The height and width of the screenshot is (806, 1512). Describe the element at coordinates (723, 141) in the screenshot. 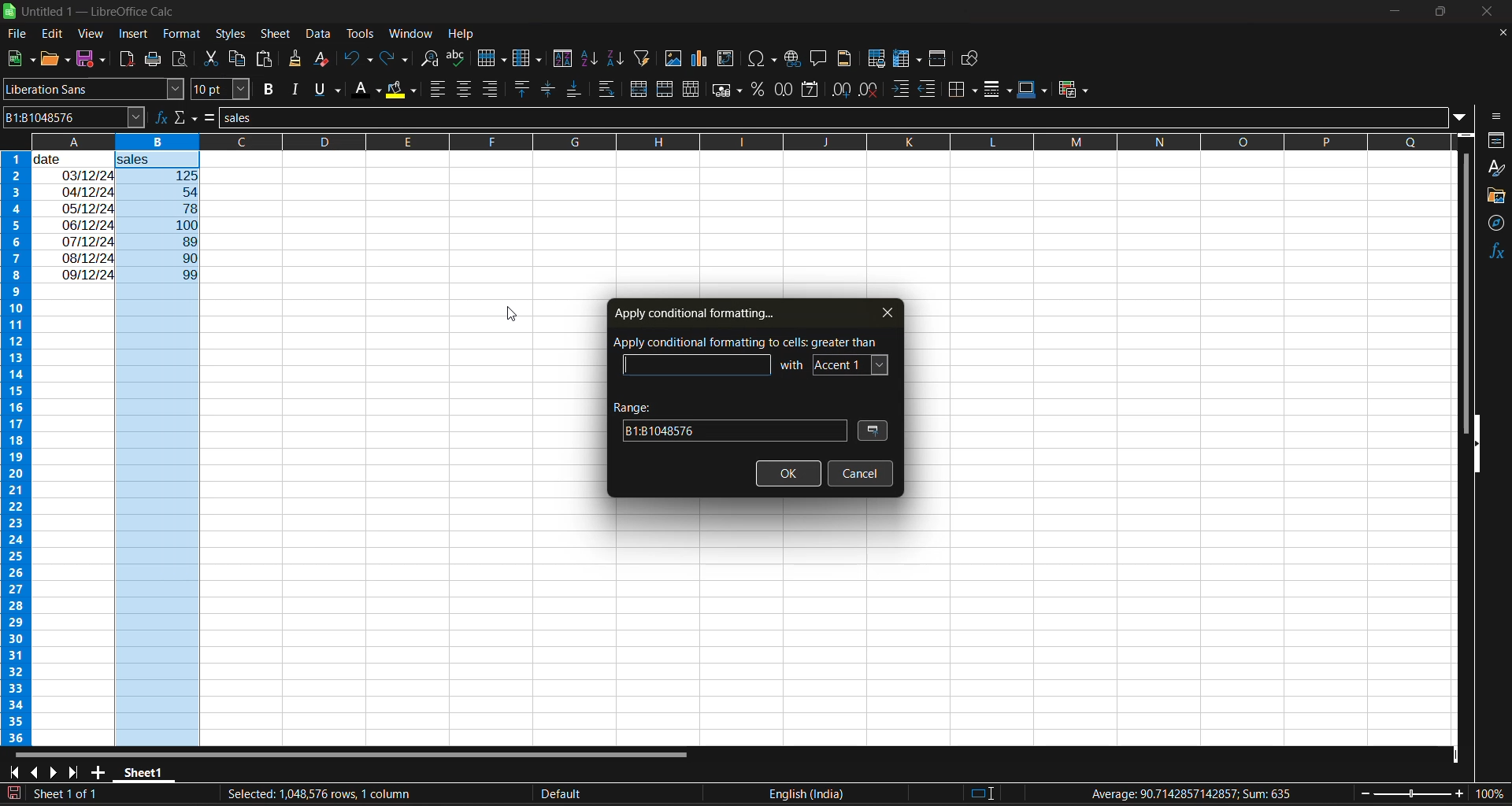

I see `rows` at that location.